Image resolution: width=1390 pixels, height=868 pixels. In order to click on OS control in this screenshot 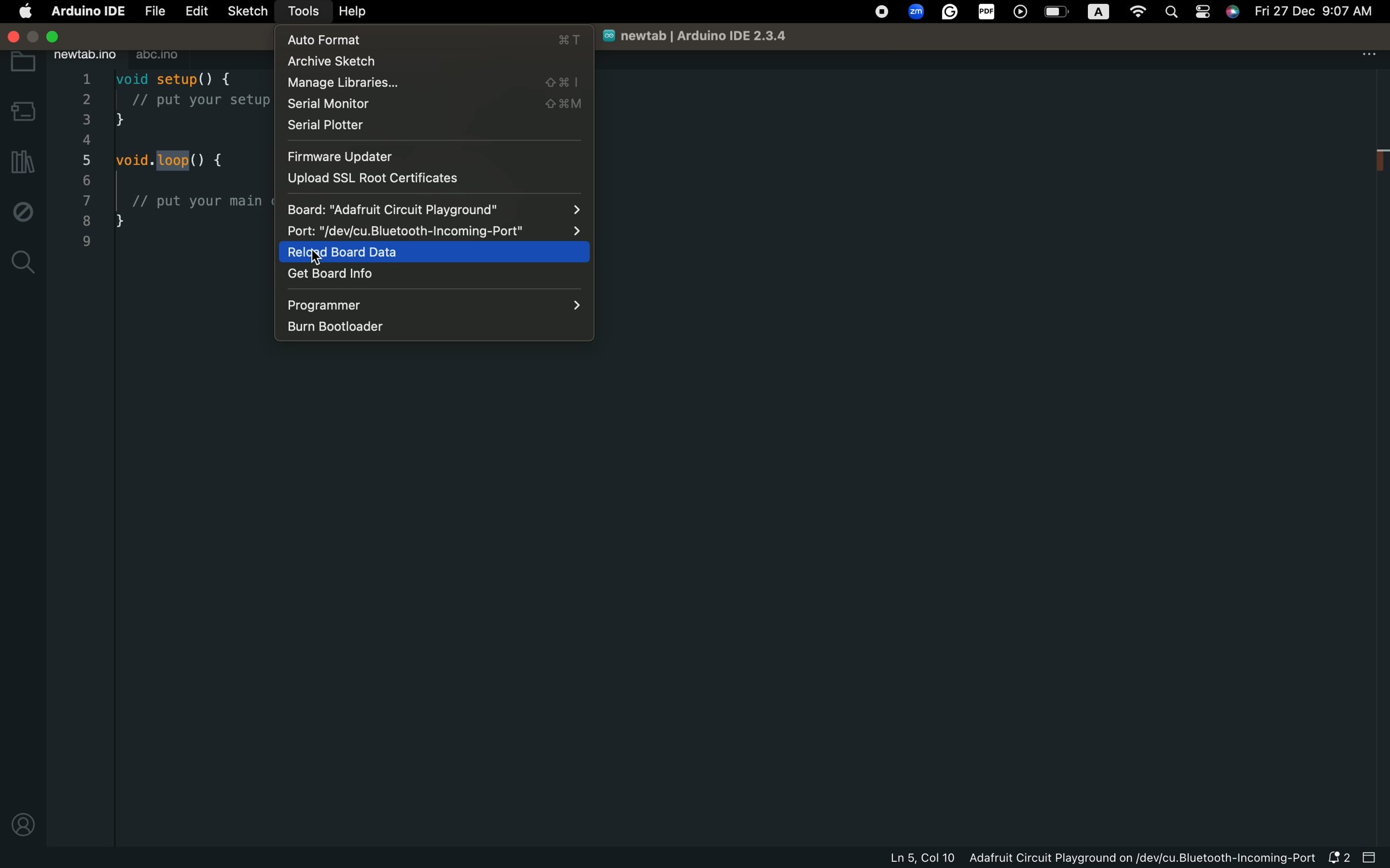, I will do `click(1050, 13)`.